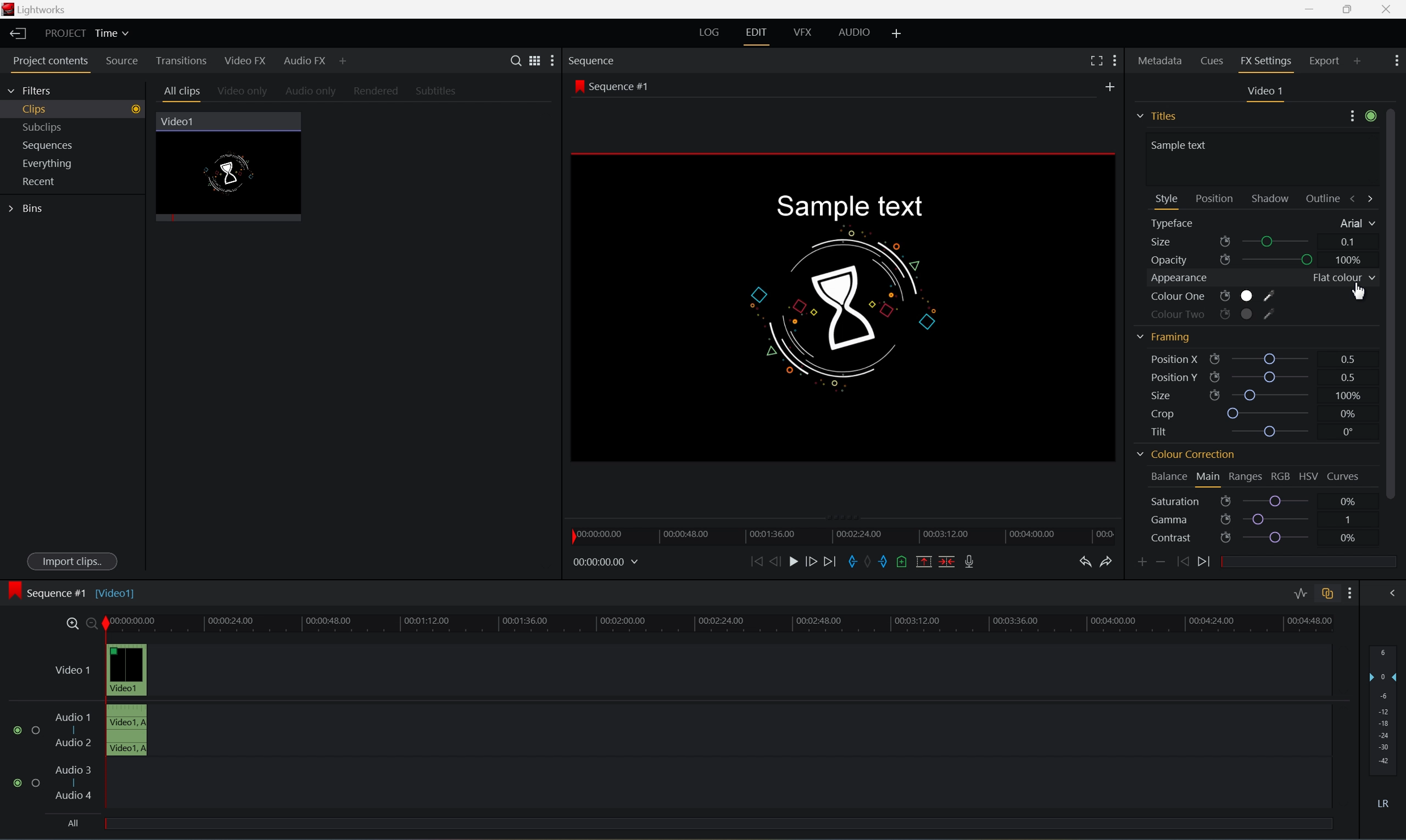  What do you see at coordinates (1349, 358) in the screenshot?
I see `0.5` at bounding box center [1349, 358].